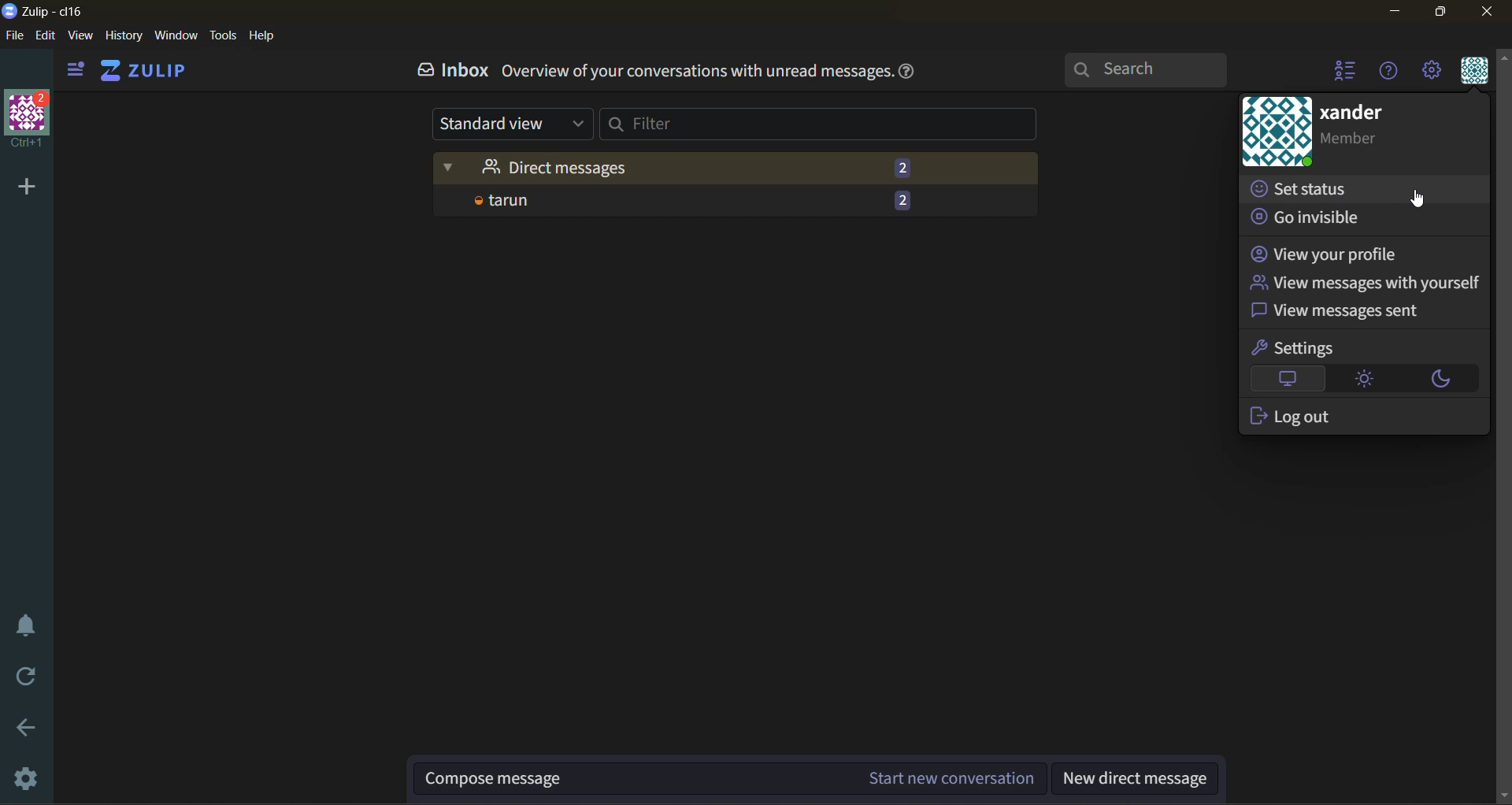  I want to click on inbox, so click(448, 72).